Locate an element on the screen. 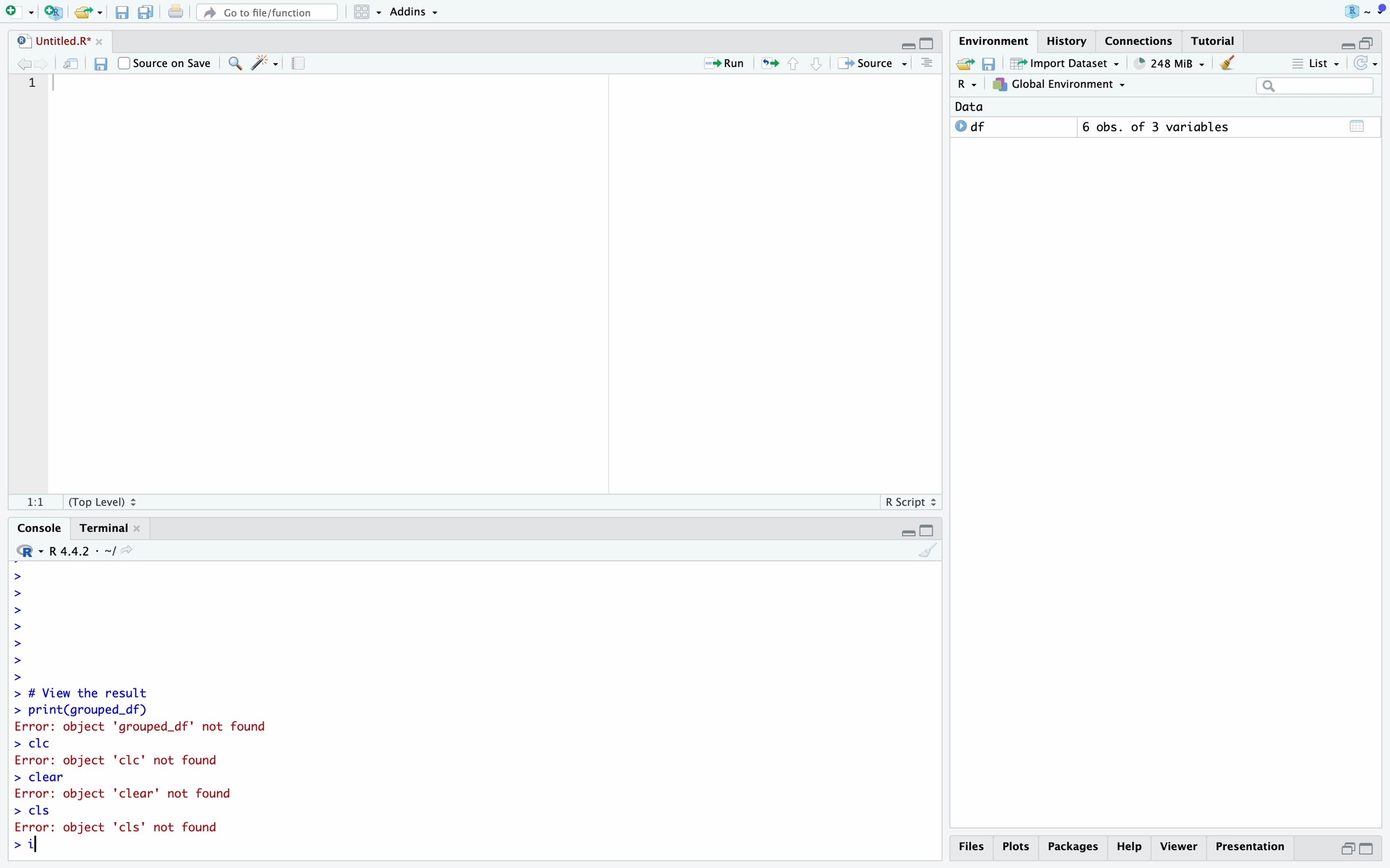 This screenshot has width=1390, height=868. Project is located at coordinates (1364, 12).